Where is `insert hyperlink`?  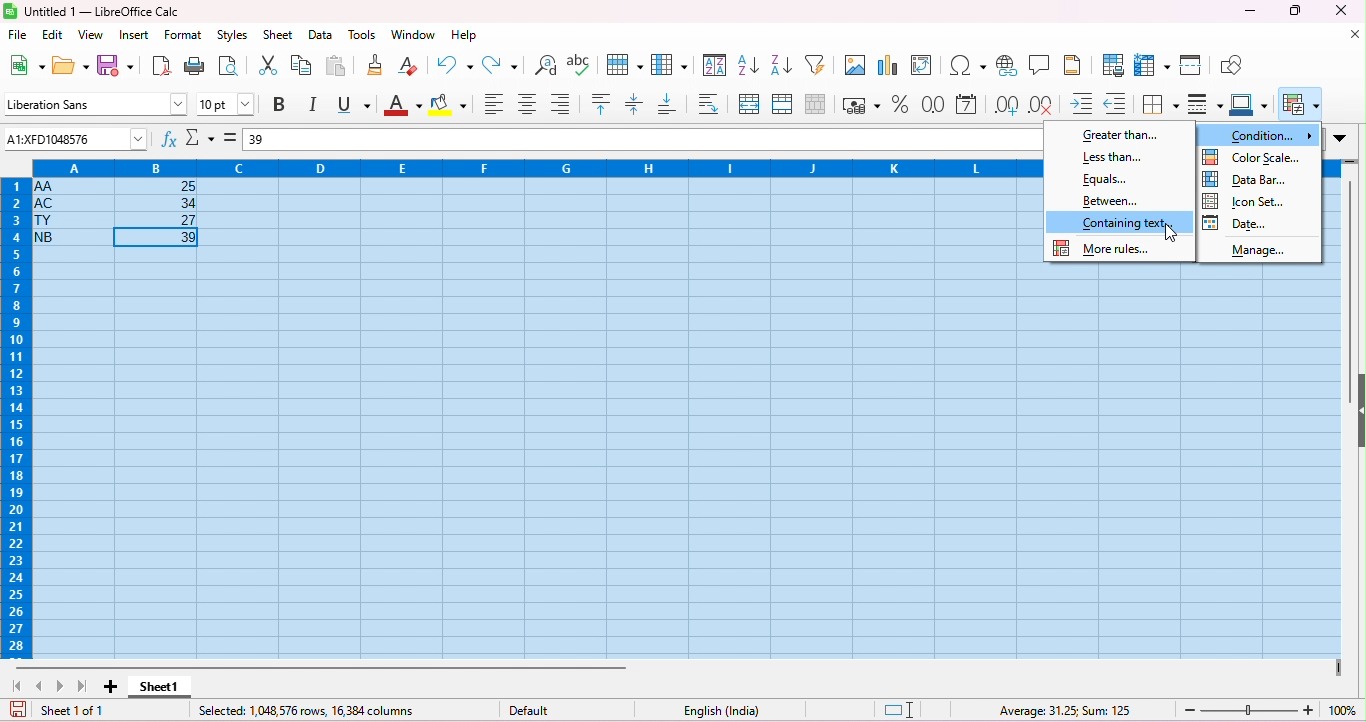
insert hyperlink is located at coordinates (1007, 65).